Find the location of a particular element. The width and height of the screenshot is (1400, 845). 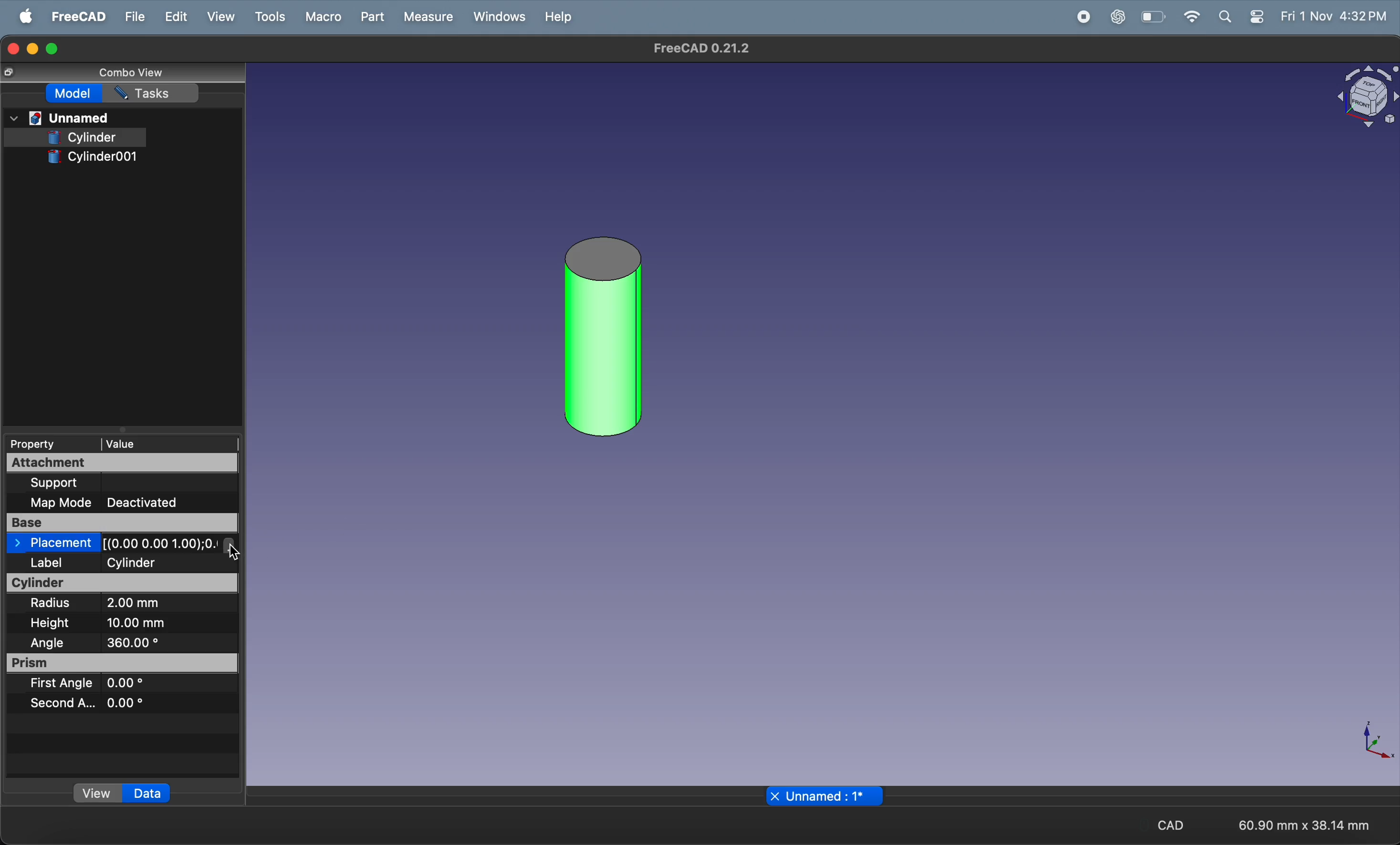

placement is located at coordinates (123, 543).